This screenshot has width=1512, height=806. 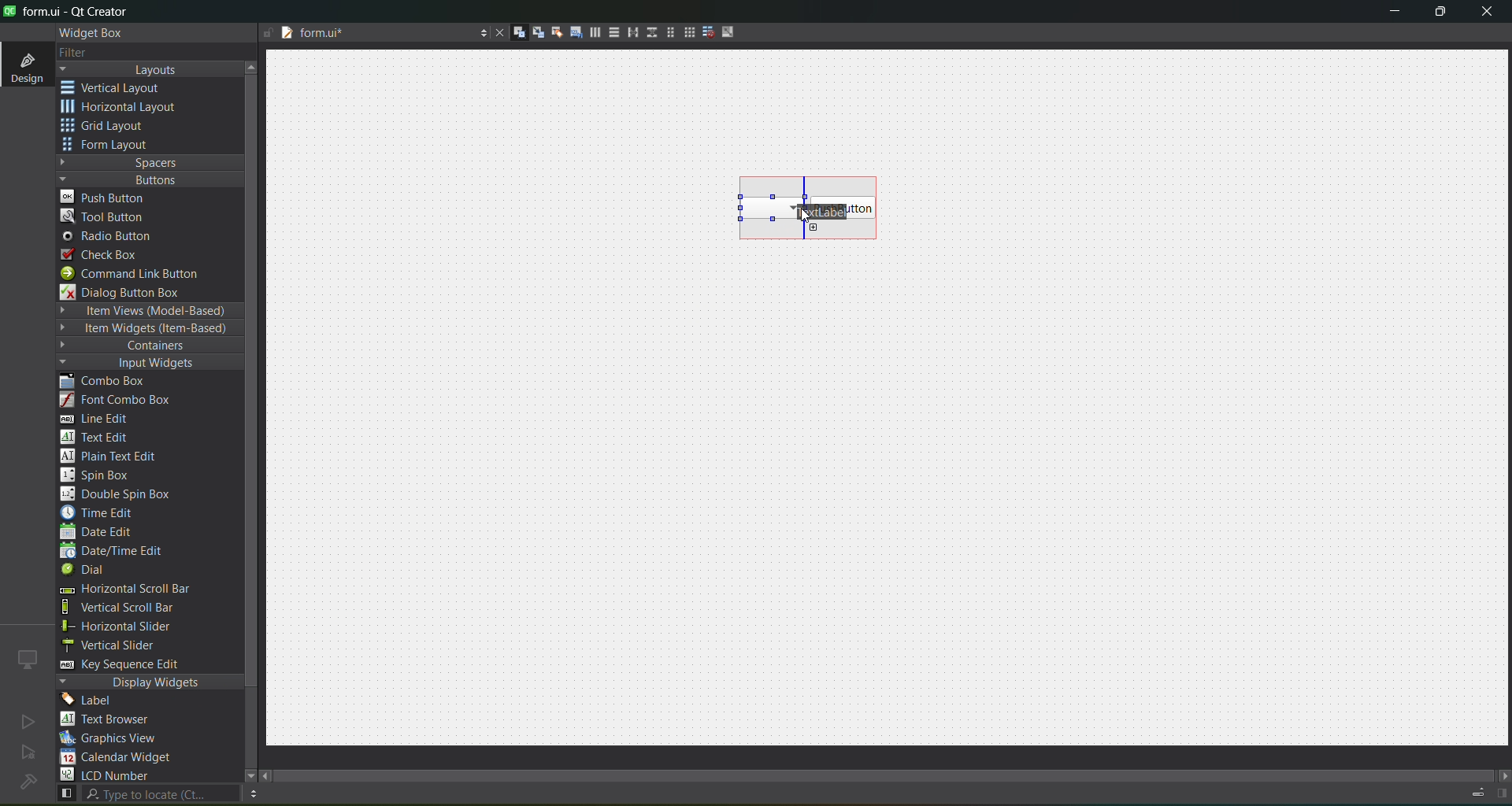 What do you see at coordinates (121, 401) in the screenshot?
I see `font combo box` at bounding box center [121, 401].